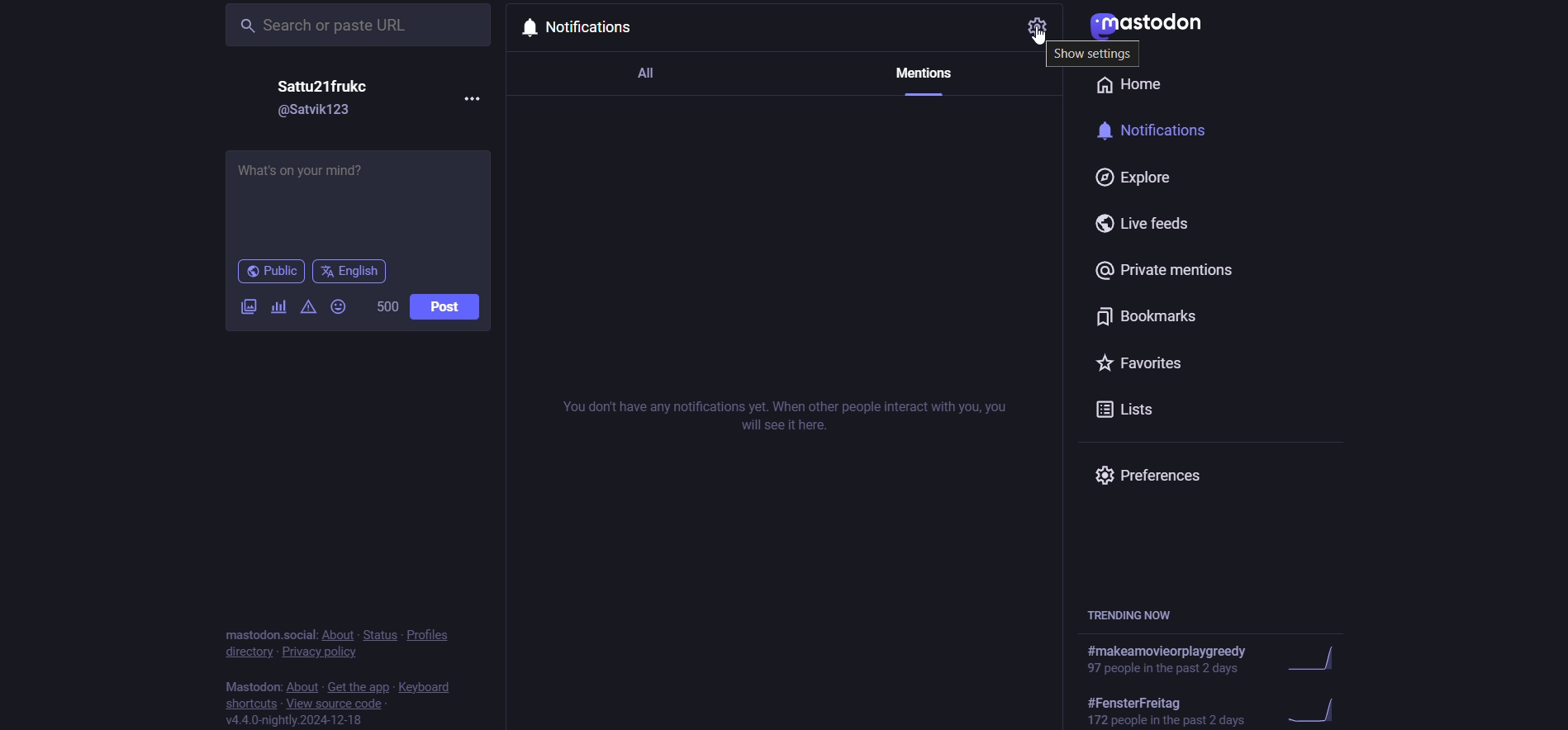 The width and height of the screenshot is (1568, 730). What do you see at coordinates (1169, 720) in the screenshot?
I see `172 people in the past 2 days` at bounding box center [1169, 720].